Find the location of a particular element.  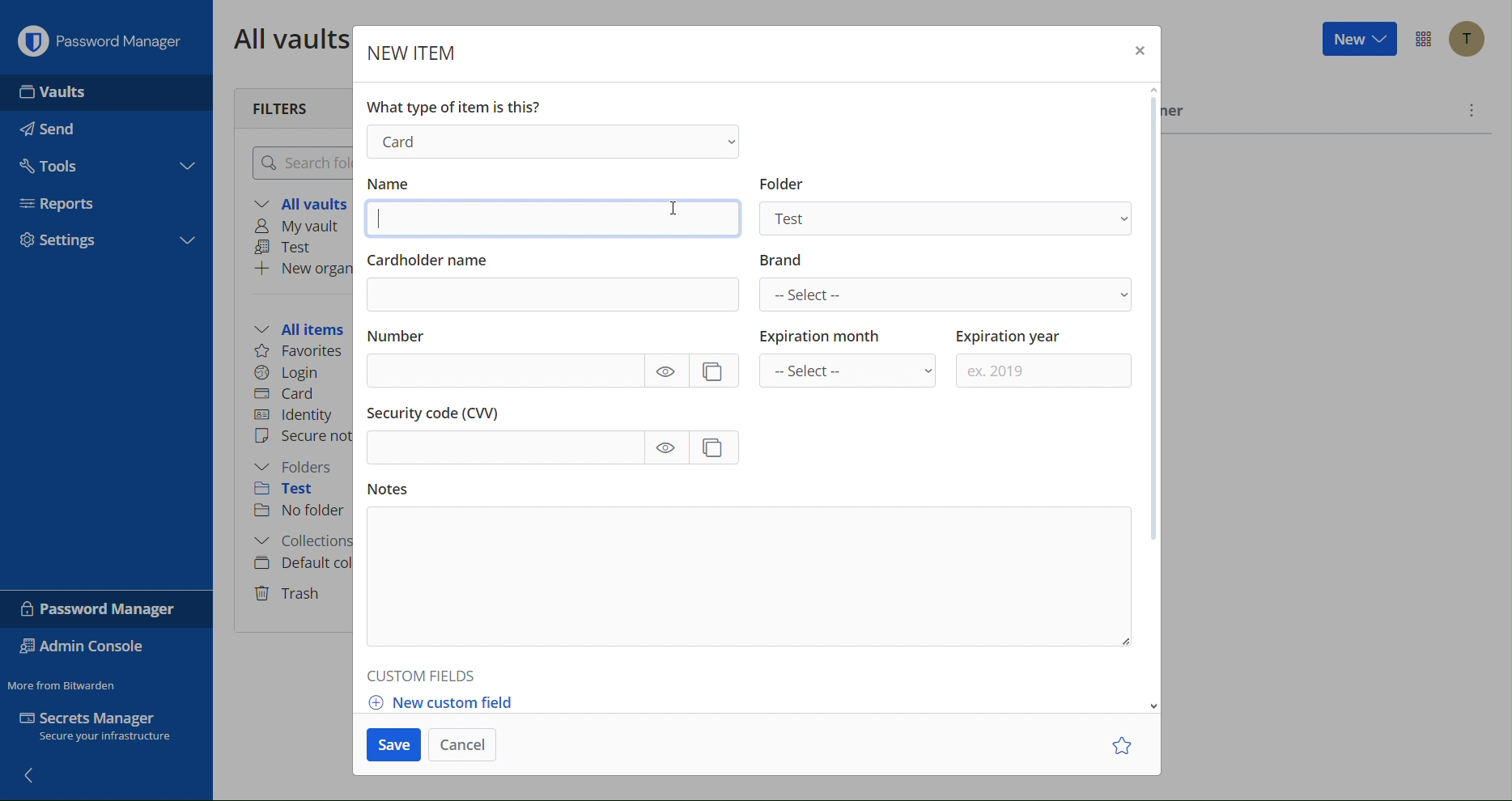

Settings is located at coordinates (101, 239).